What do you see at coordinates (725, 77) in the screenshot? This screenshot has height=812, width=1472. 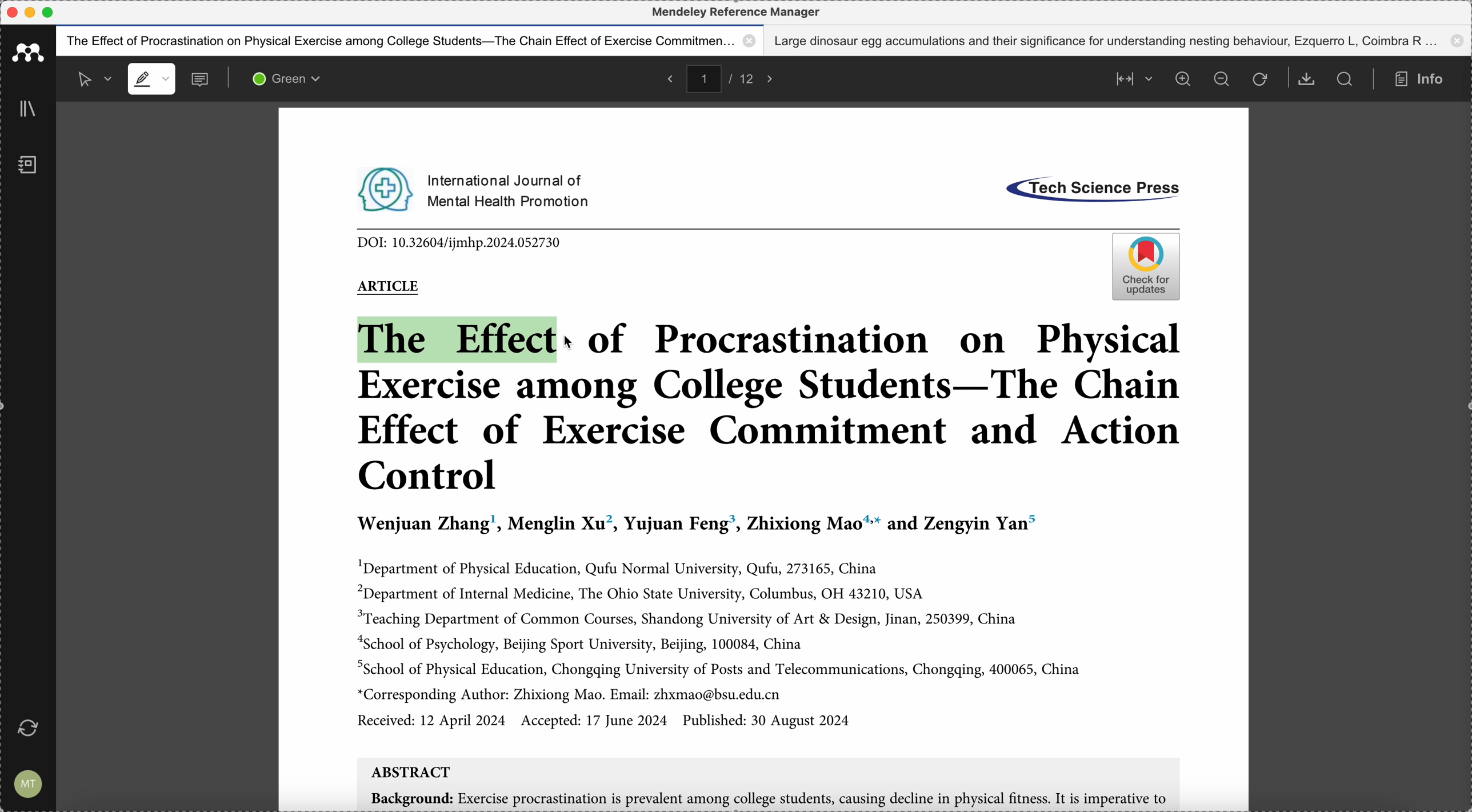 I see `pages` at bounding box center [725, 77].